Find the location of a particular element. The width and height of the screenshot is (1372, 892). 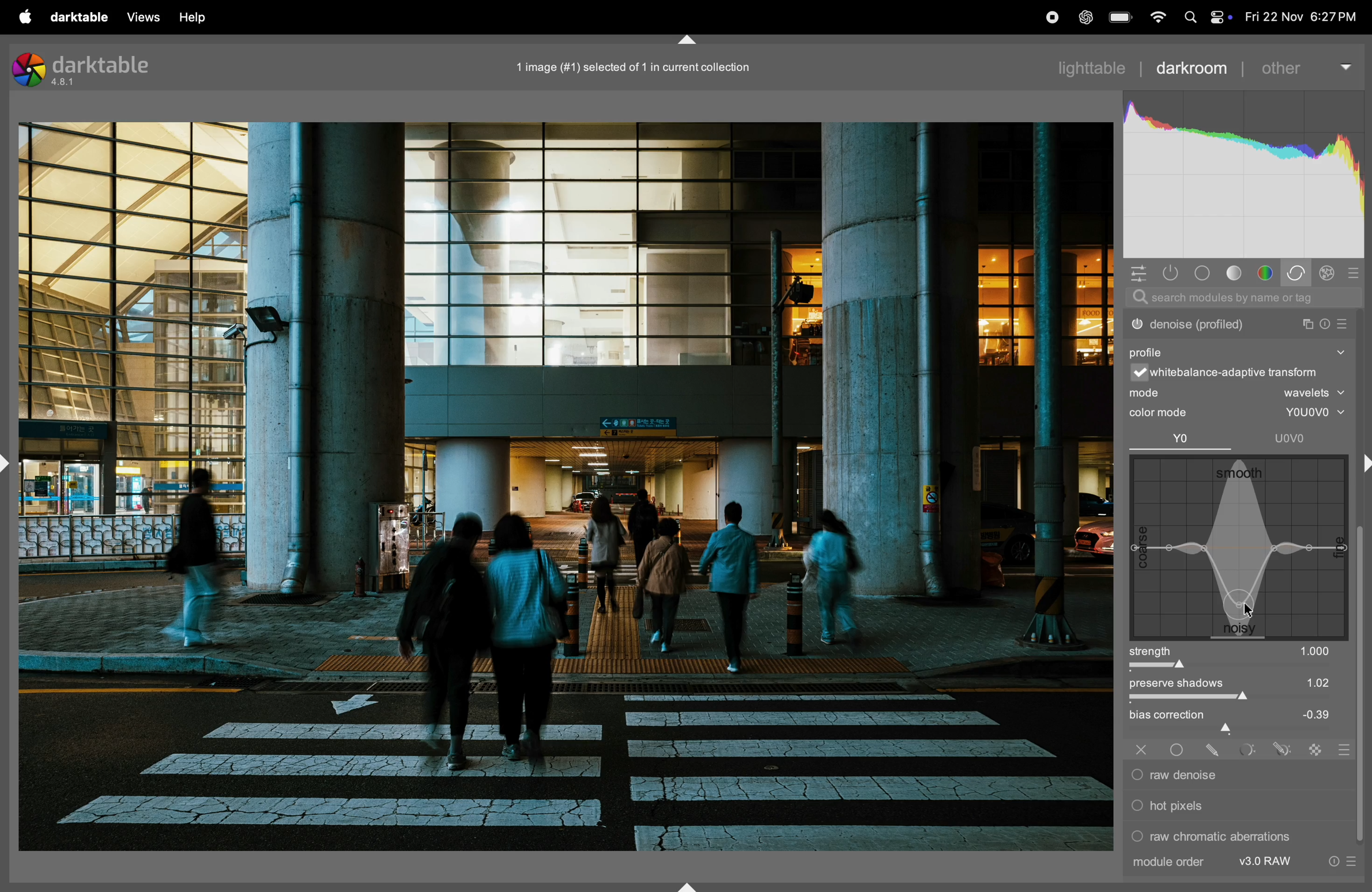

blending options is located at coordinates (1343, 749).